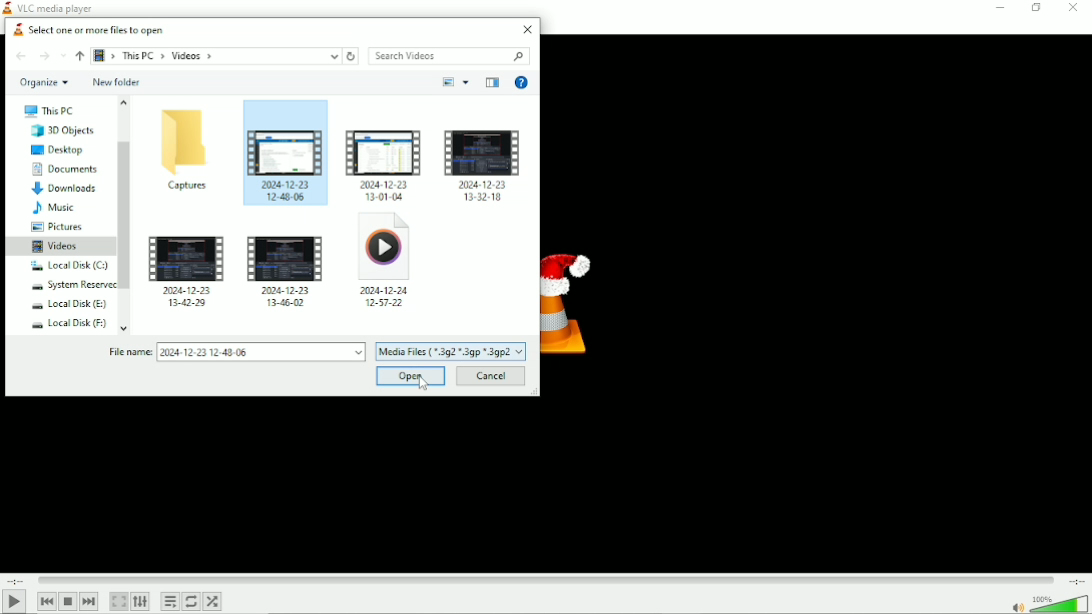 The height and width of the screenshot is (614, 1092). I want to click on Videos, so click(56, 245).